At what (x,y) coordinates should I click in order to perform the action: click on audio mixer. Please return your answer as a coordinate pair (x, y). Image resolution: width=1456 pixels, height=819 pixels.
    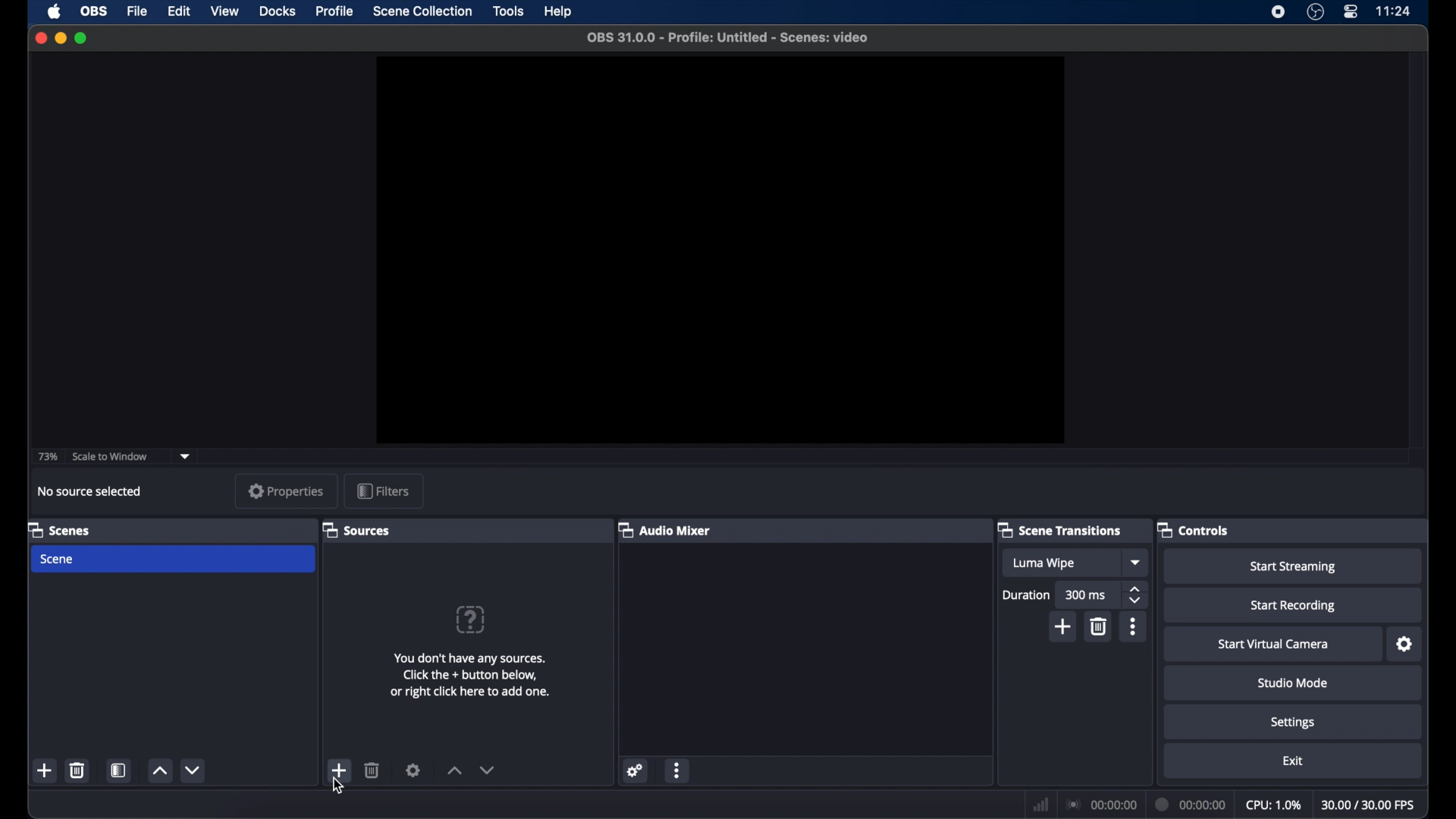
    Looking at the image, I should click on (664, 529).